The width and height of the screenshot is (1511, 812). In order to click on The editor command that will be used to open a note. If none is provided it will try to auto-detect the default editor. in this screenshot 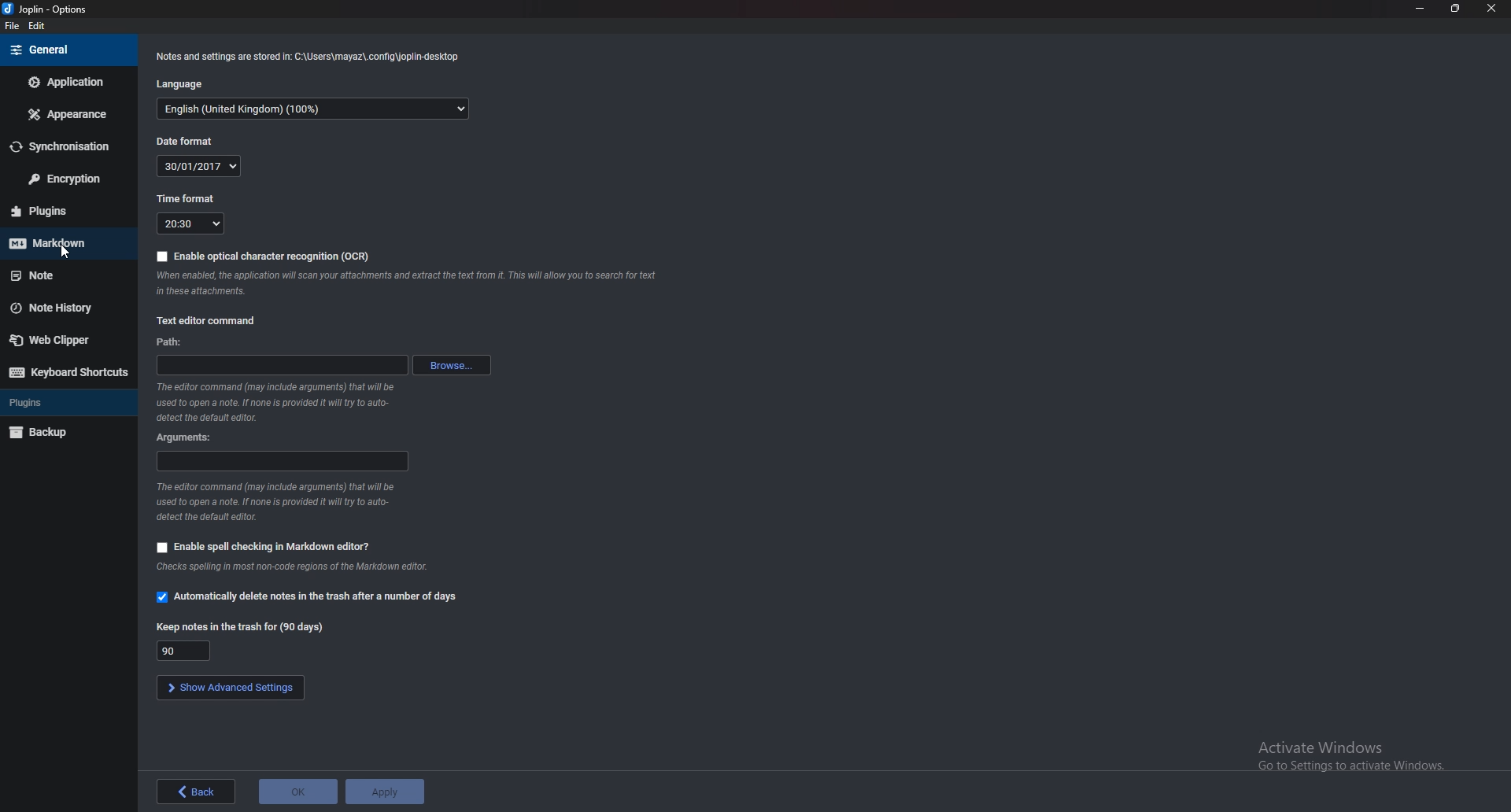, I will do `click(279, 401)`.